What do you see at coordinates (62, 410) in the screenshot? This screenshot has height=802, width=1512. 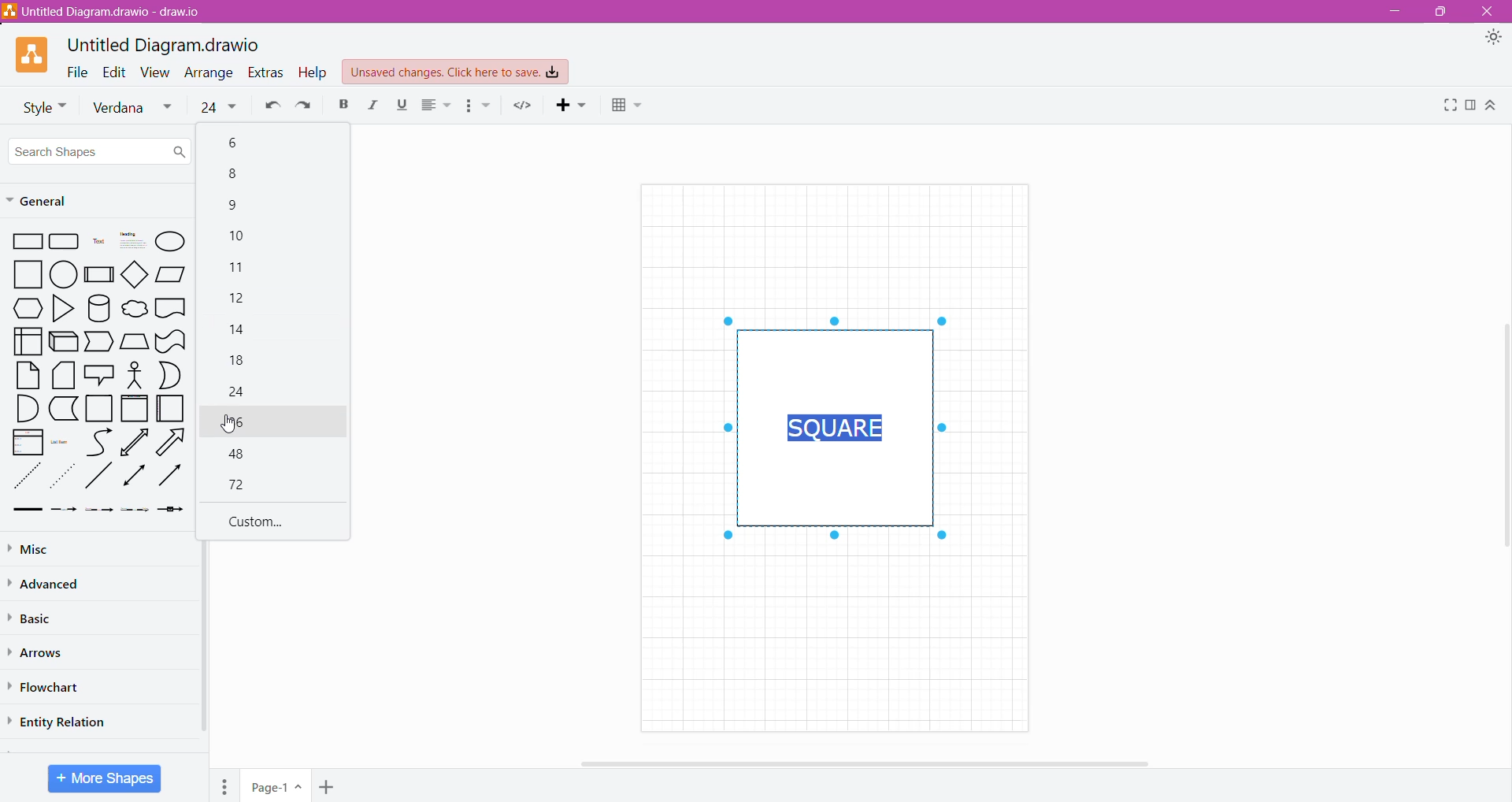 I see `L-Shaped Rectangle ` at bounding box center [62, 410].